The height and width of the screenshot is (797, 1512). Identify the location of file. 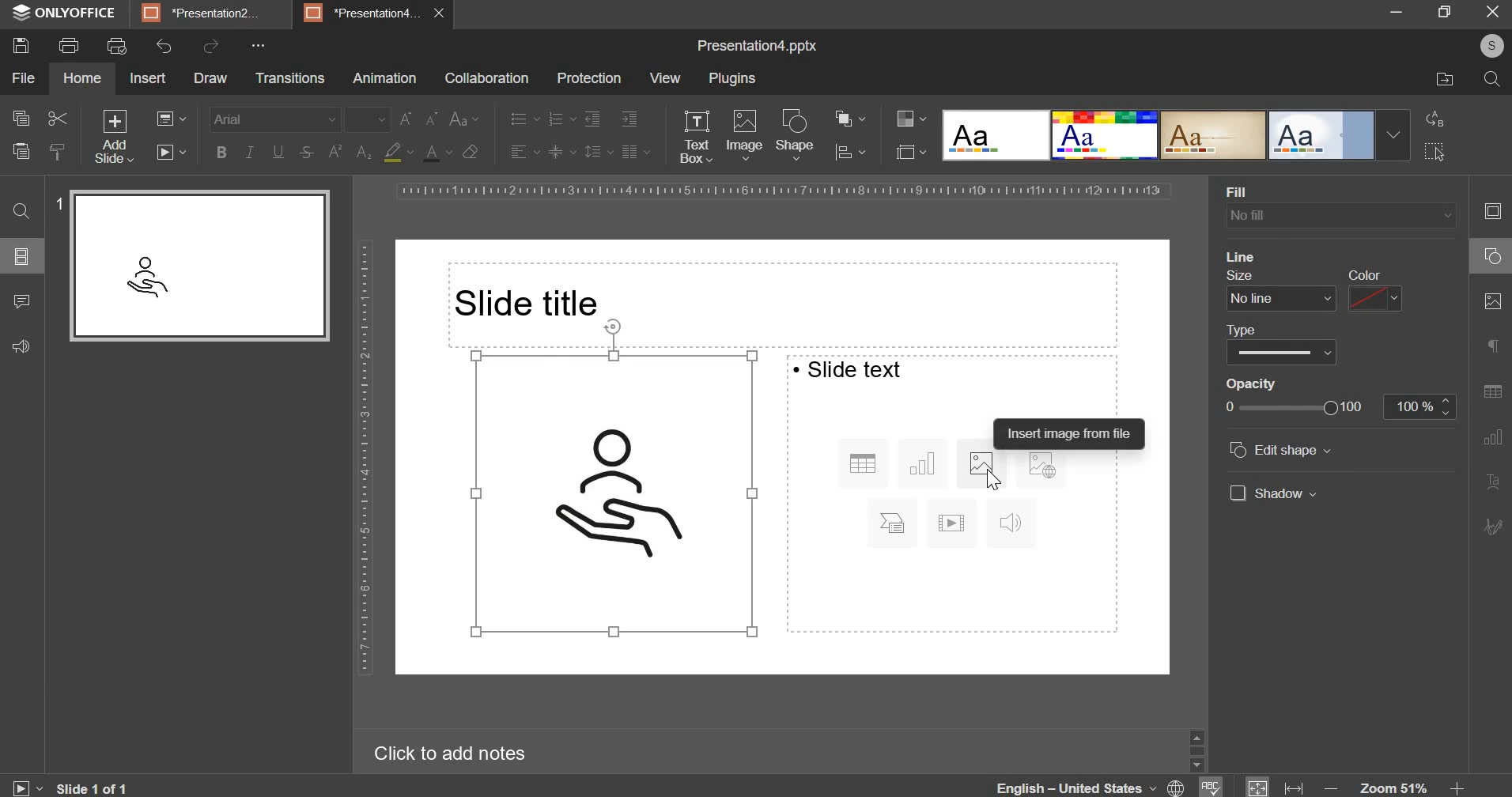
(22, 78).